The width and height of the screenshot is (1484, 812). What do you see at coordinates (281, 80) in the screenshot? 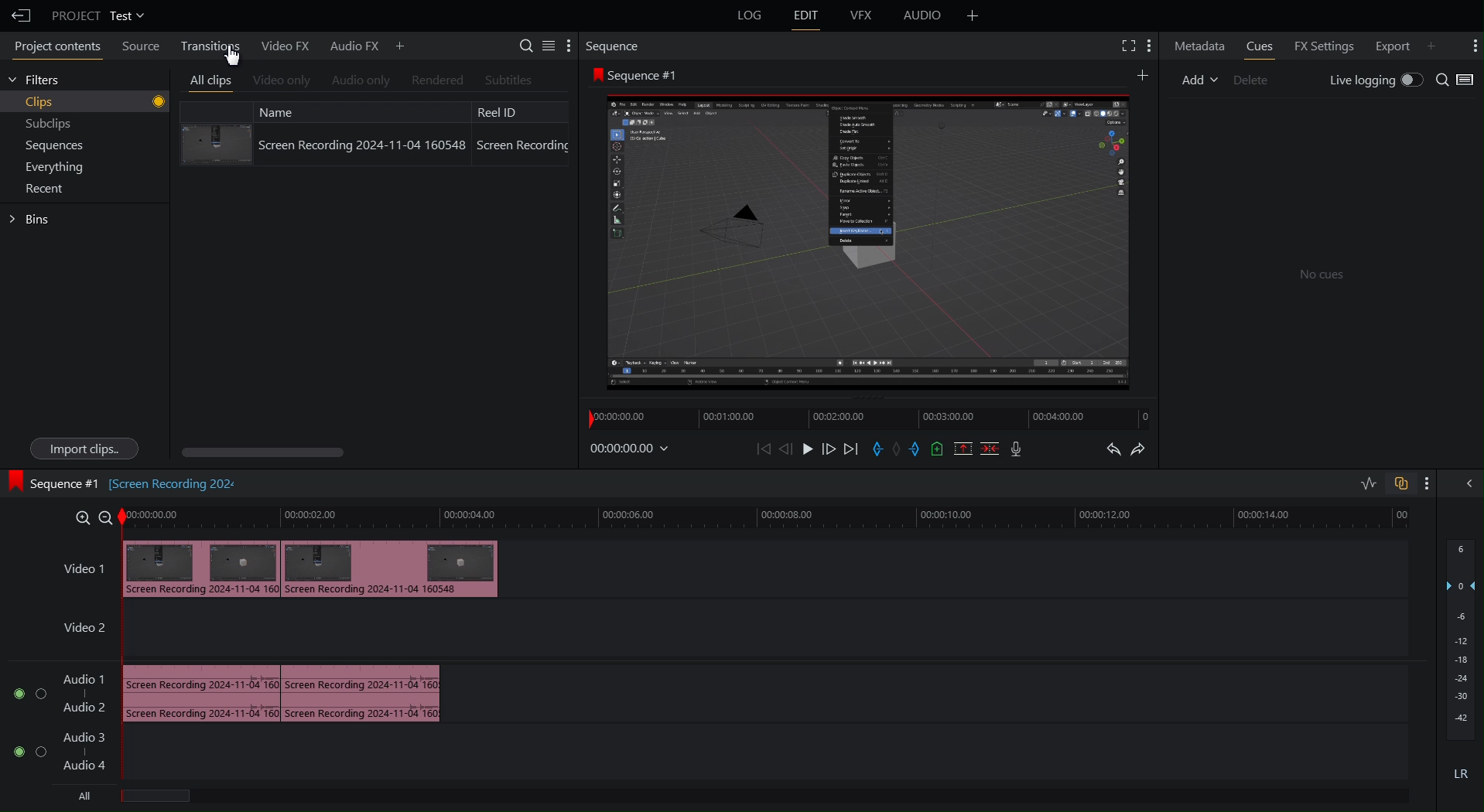
I see `Video only` at bounding box center [281, 80].